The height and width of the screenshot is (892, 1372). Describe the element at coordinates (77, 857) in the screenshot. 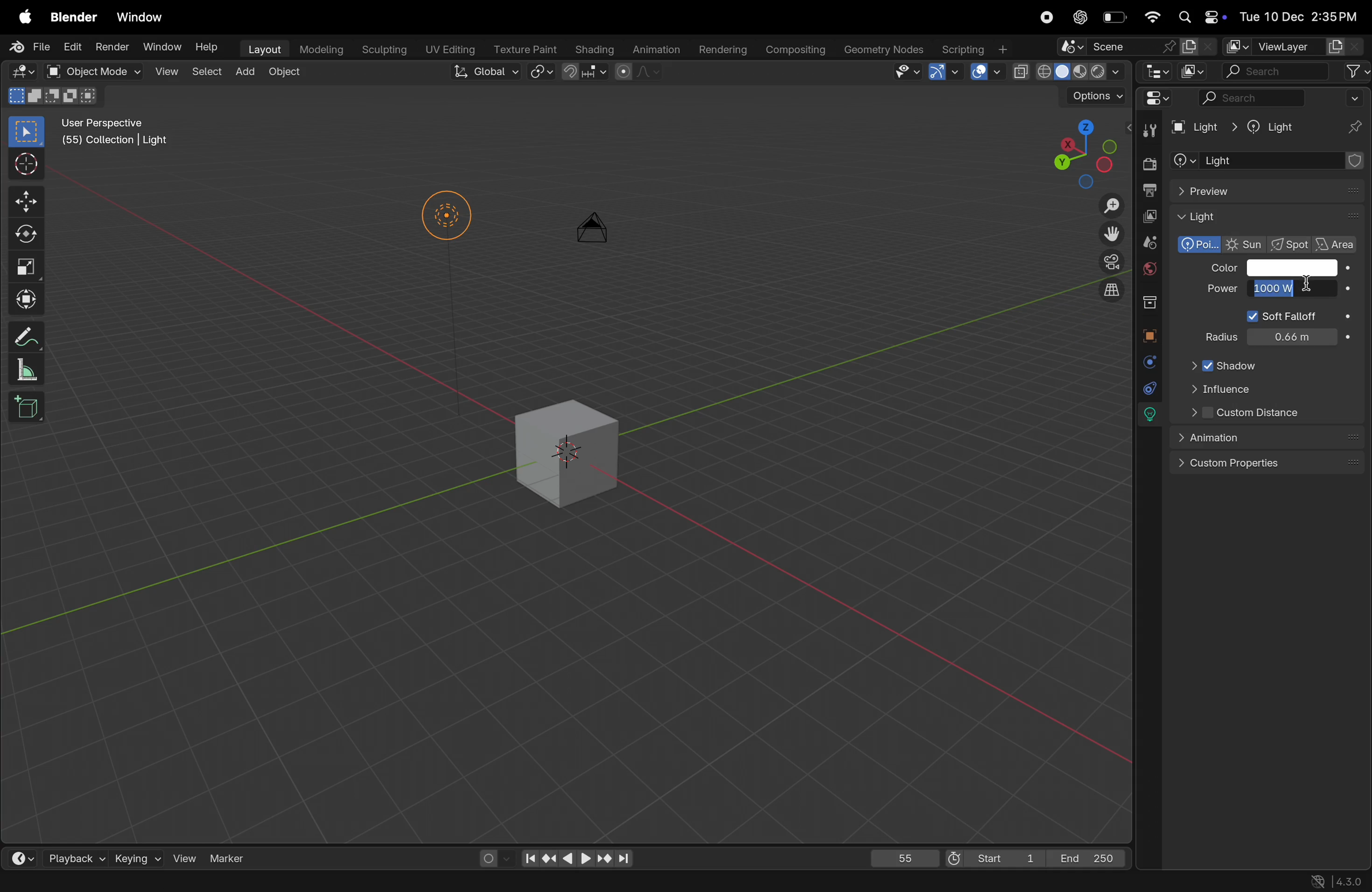

I see `playback` at that location.